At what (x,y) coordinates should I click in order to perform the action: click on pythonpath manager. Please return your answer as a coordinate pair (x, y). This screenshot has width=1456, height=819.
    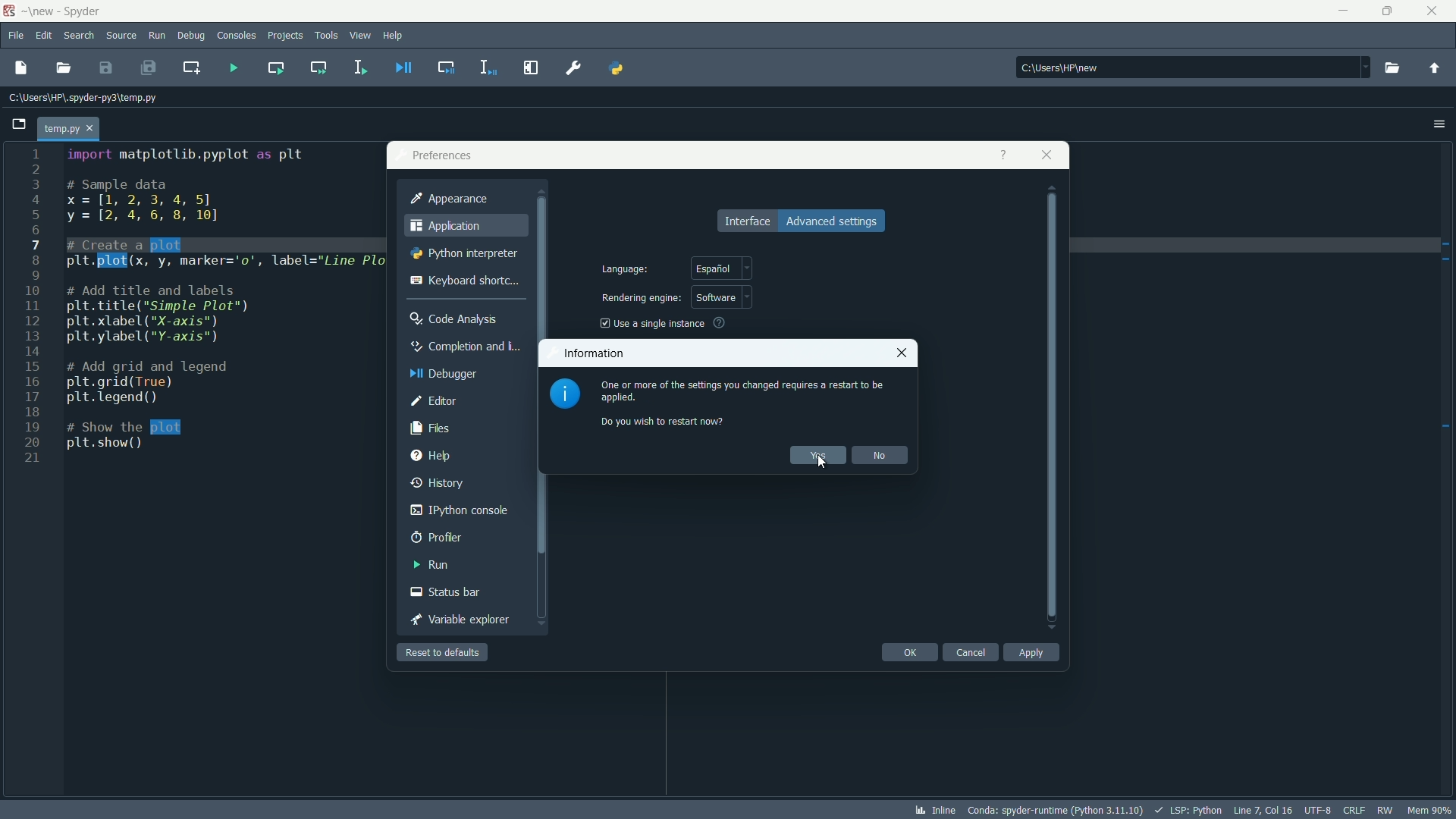
    Looking at the image, I should click on (615, 67).